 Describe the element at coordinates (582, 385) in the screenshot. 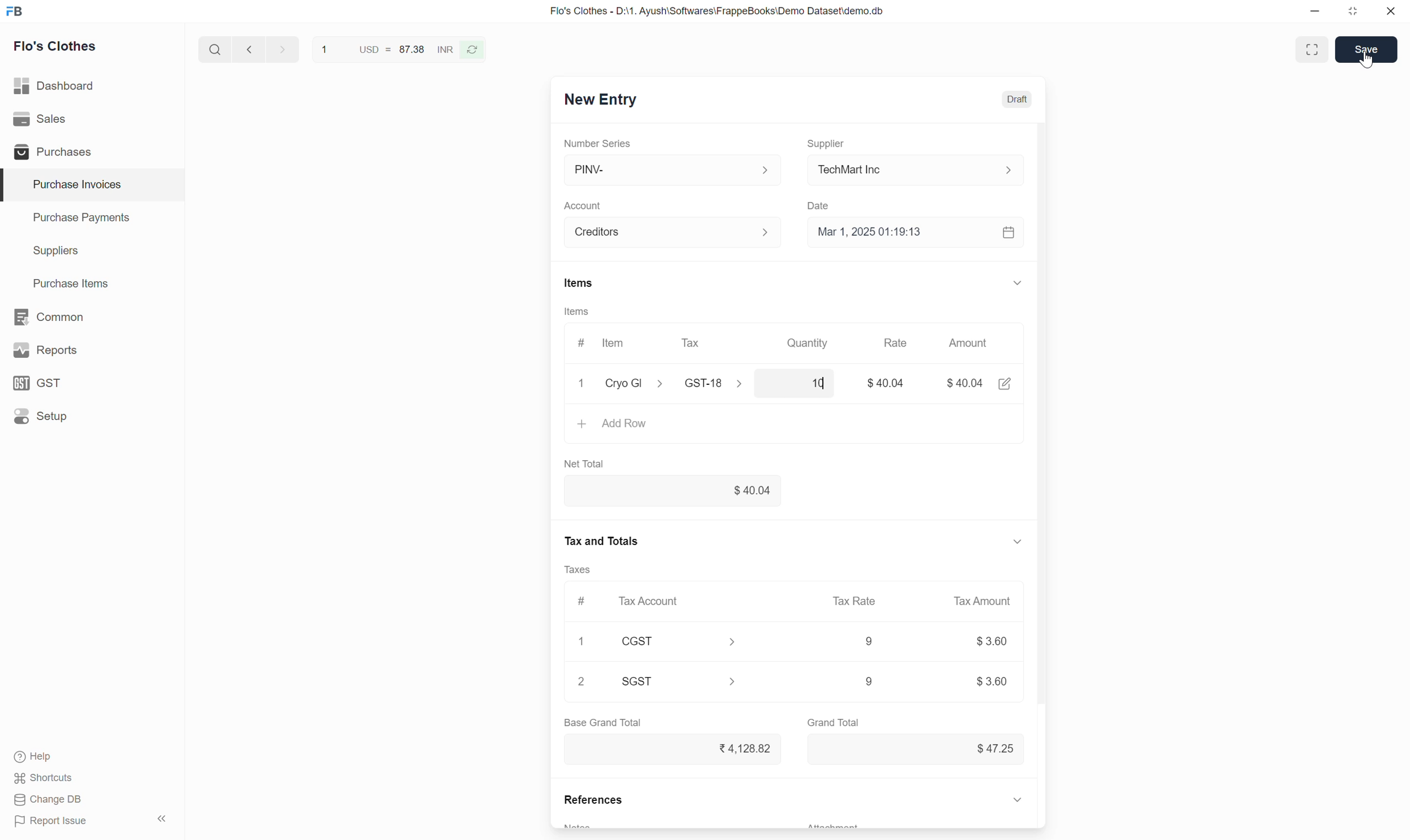

I see `x` at that location.